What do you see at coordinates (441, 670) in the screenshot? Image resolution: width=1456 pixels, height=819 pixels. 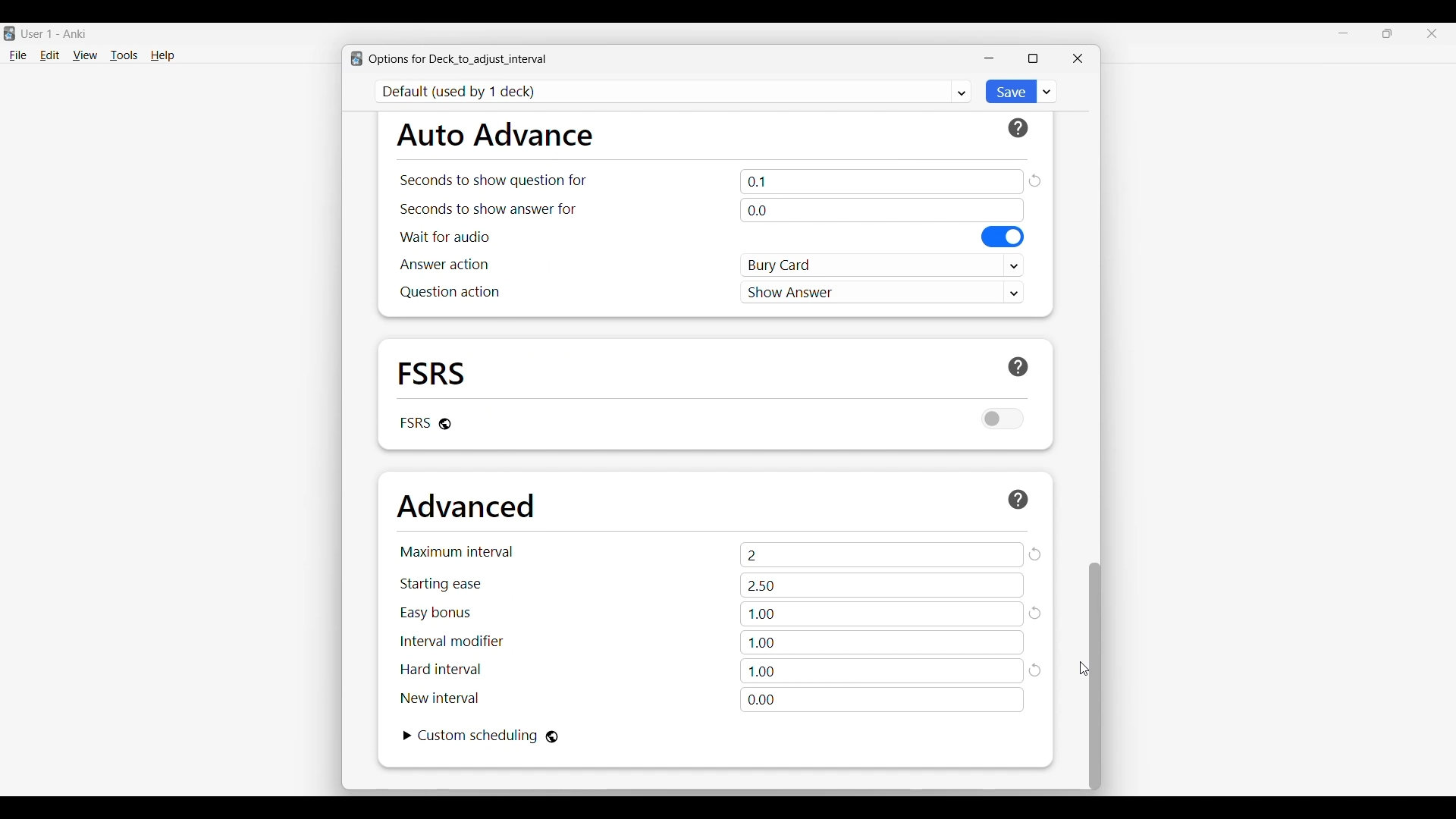 I see `Indicates hard interval` at bounding box center [441, 670].